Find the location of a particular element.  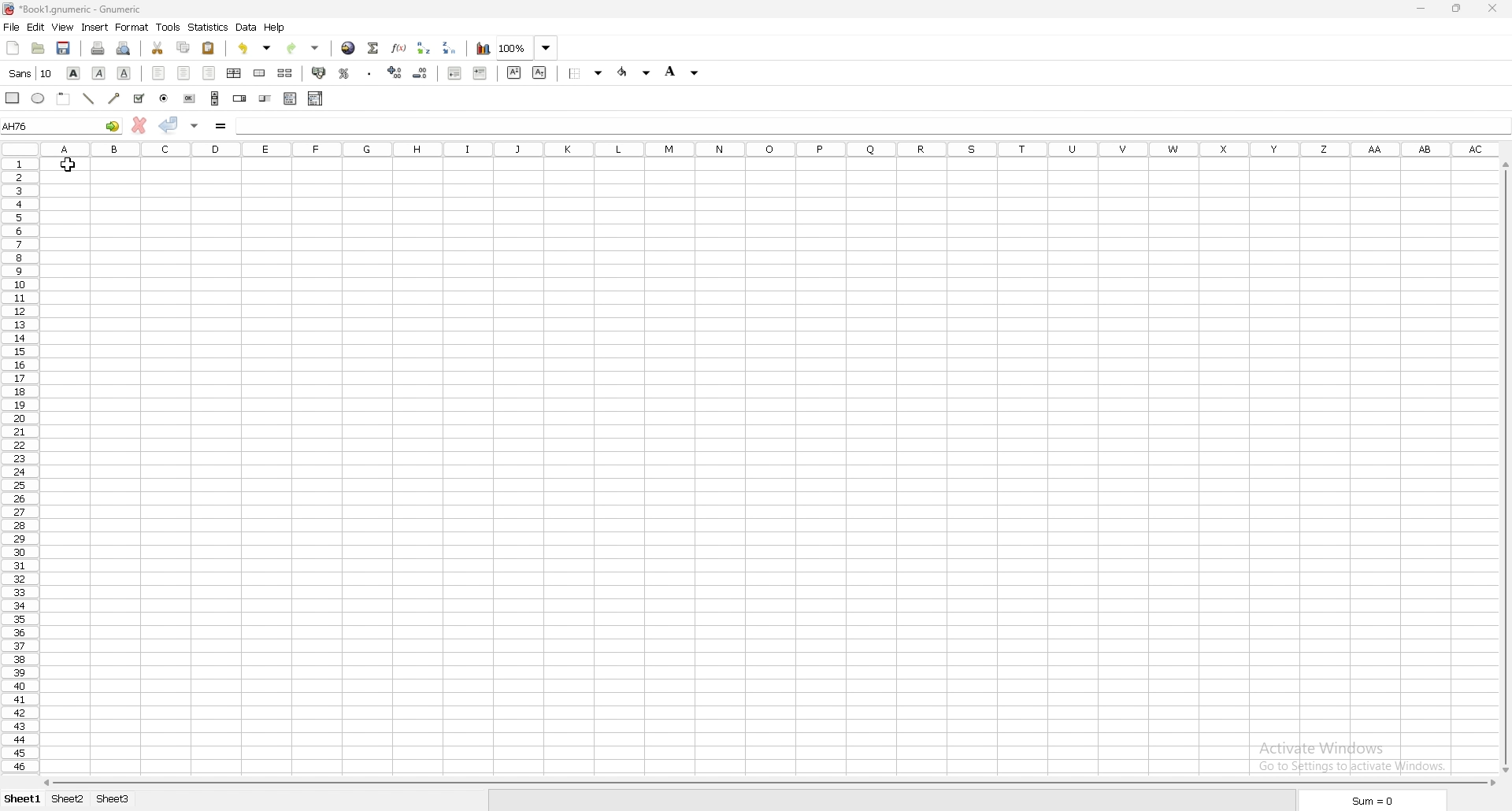

view is located at coordinates (63, 28).